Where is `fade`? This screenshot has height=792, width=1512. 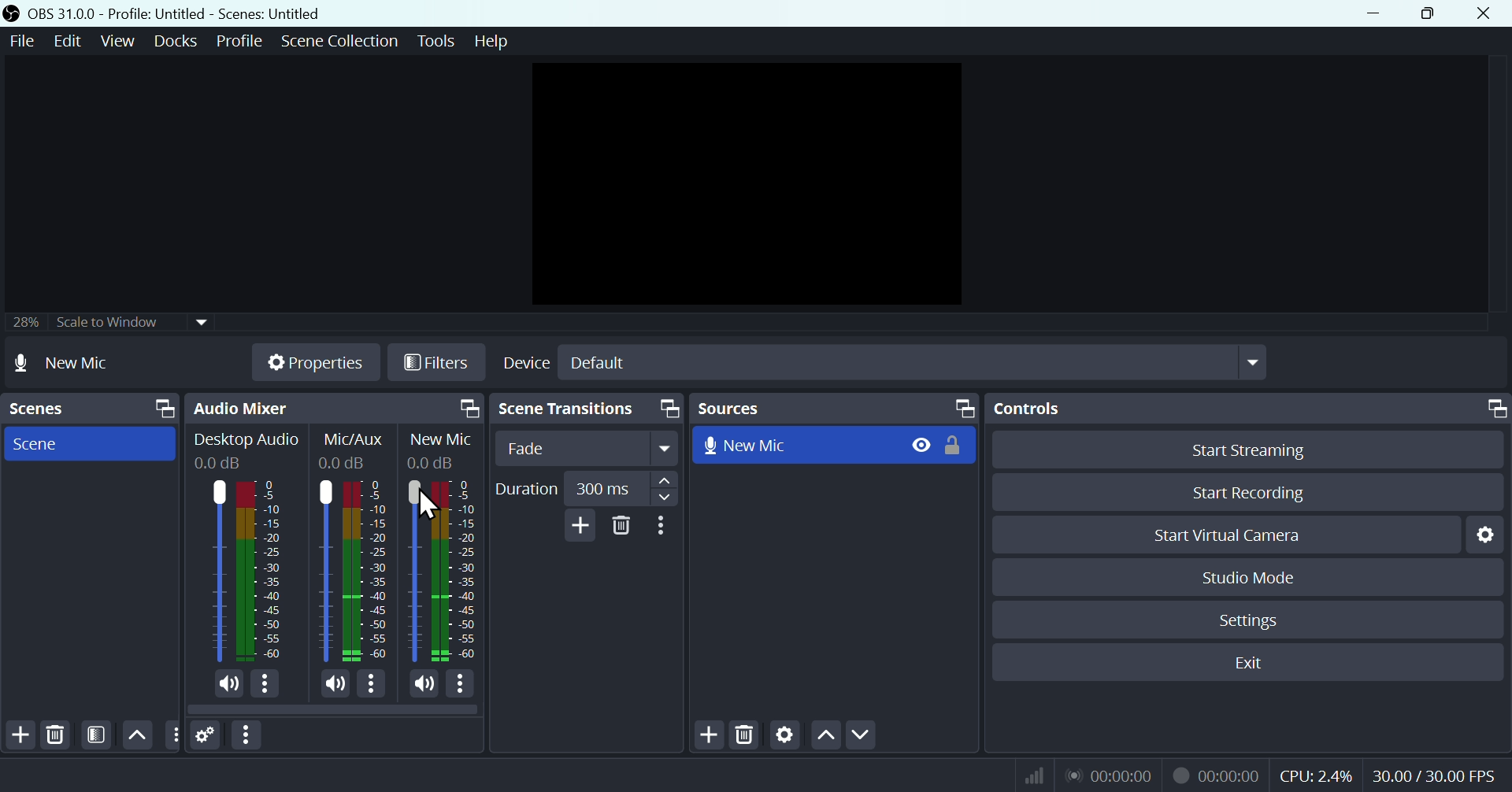
fade is located at coordinates (588, 449).